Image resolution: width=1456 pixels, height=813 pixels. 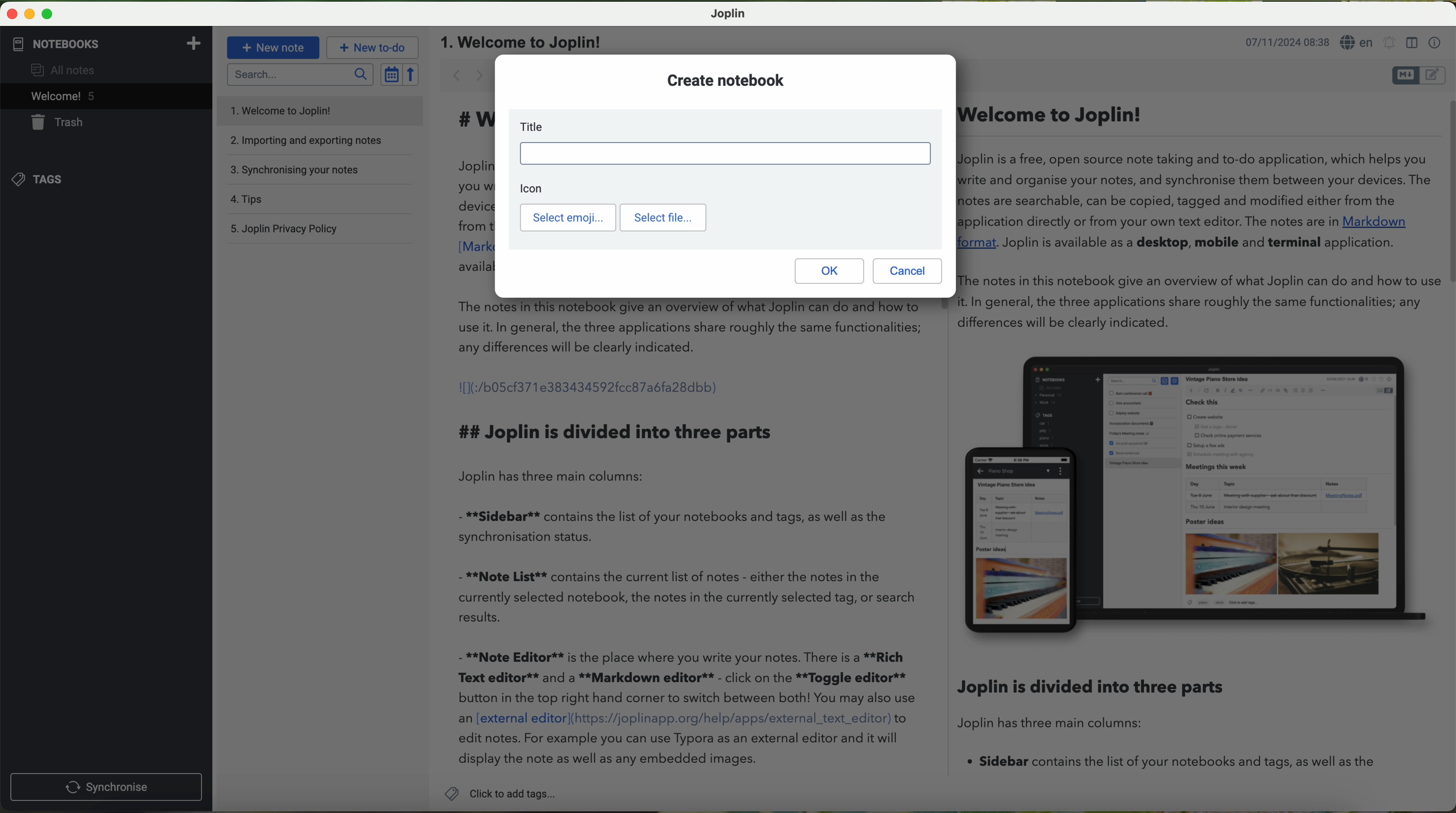 What do you see at coordinates (1285, 44) in the screenshot?
I see `date and hour` at bounding box center [1285, 44].